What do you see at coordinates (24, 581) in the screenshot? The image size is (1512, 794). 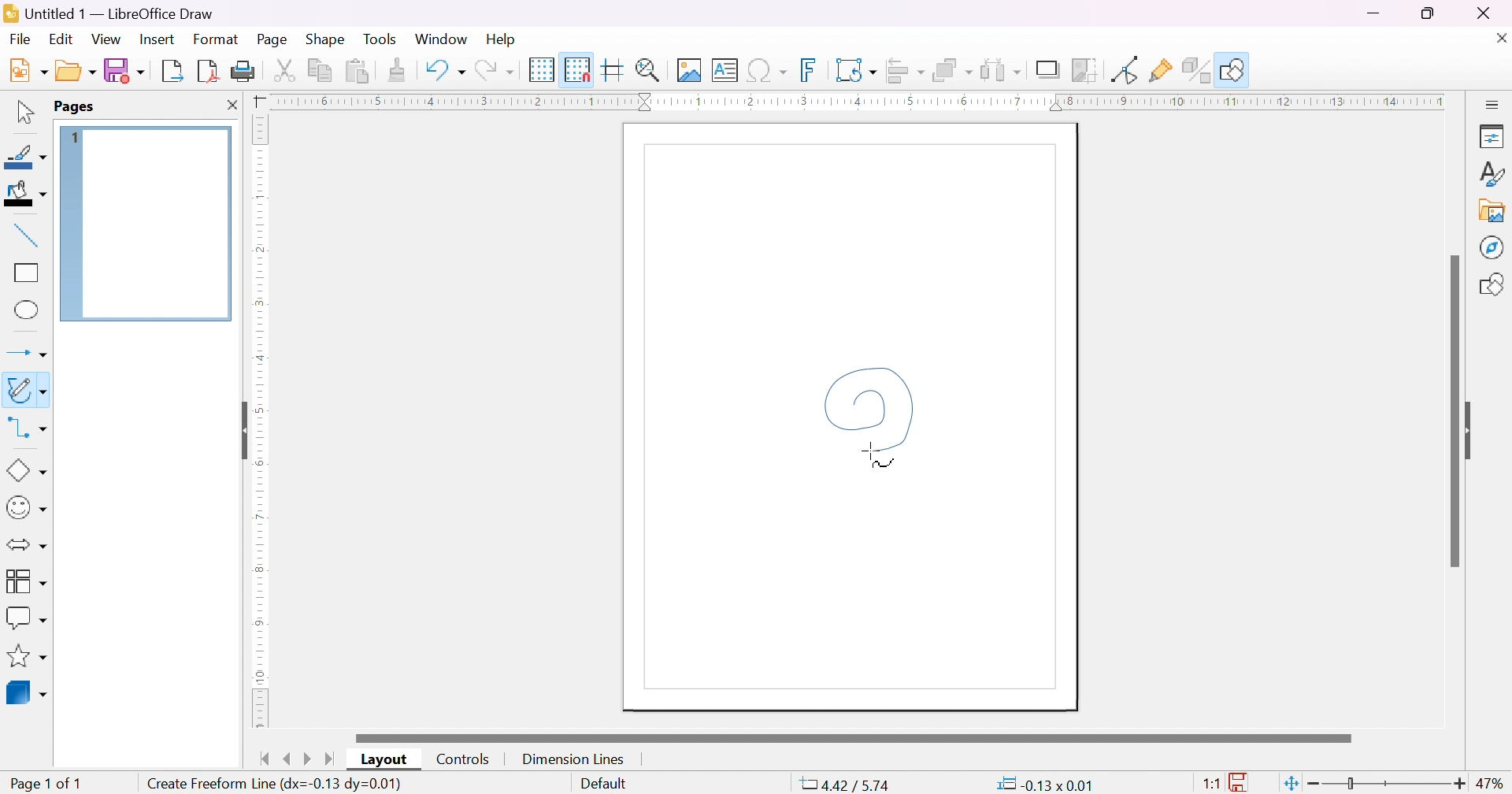 I see `flowcharts` at bounding box center [24, 581].